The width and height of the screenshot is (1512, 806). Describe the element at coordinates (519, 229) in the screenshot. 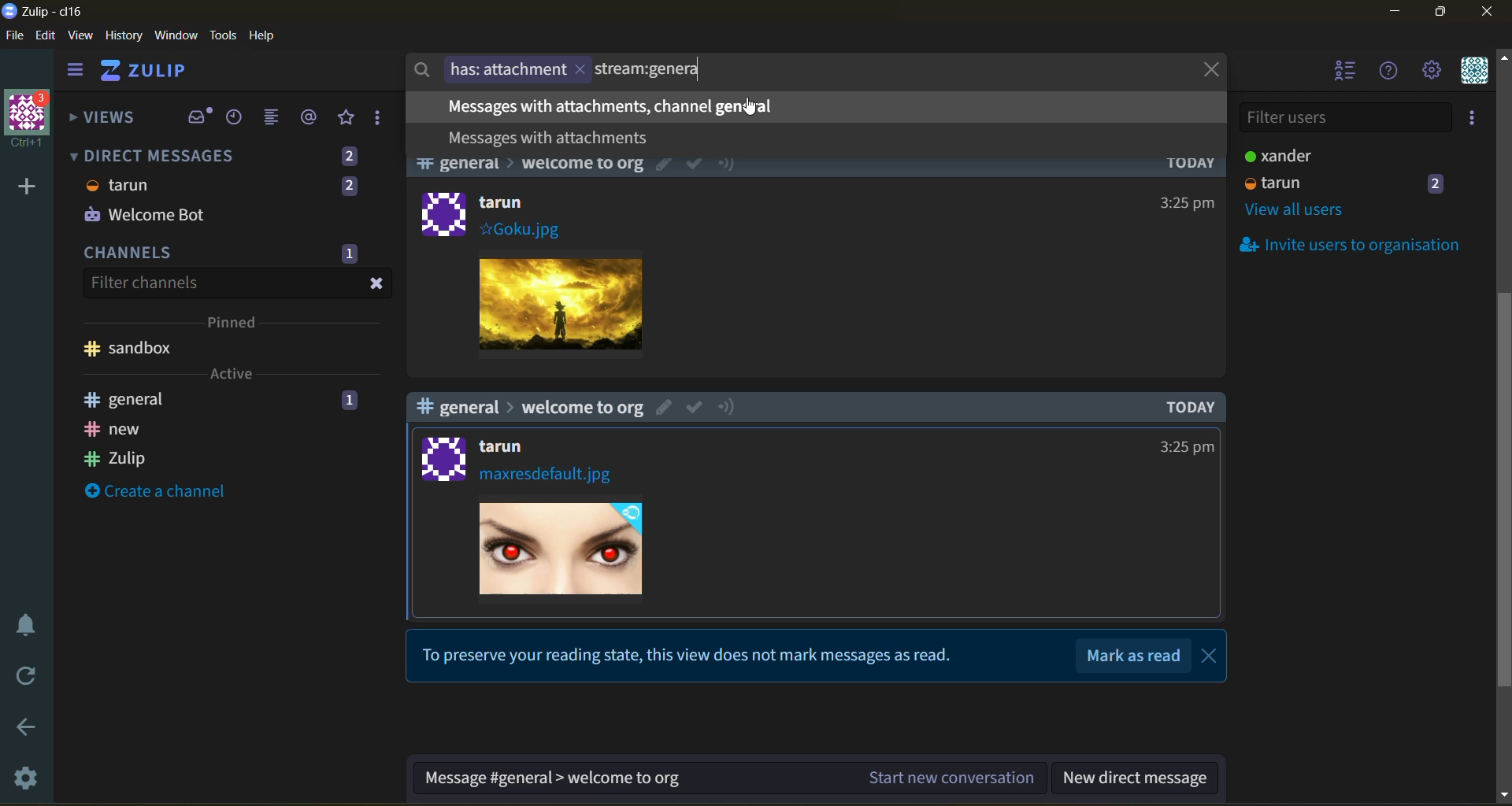

I see `#Goku.jpg` at that location.